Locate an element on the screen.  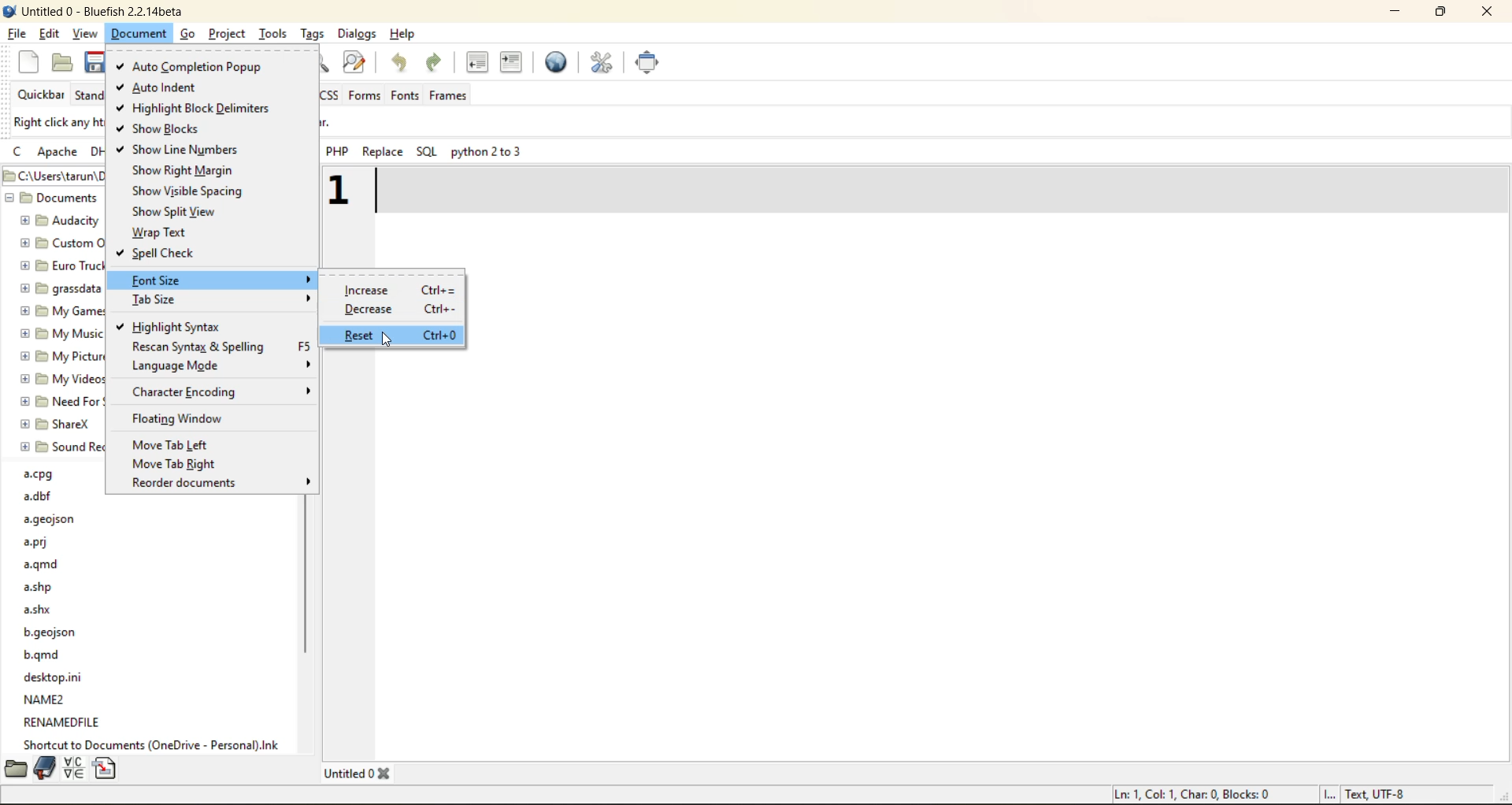
snippets is located at coordinates (106, 768).